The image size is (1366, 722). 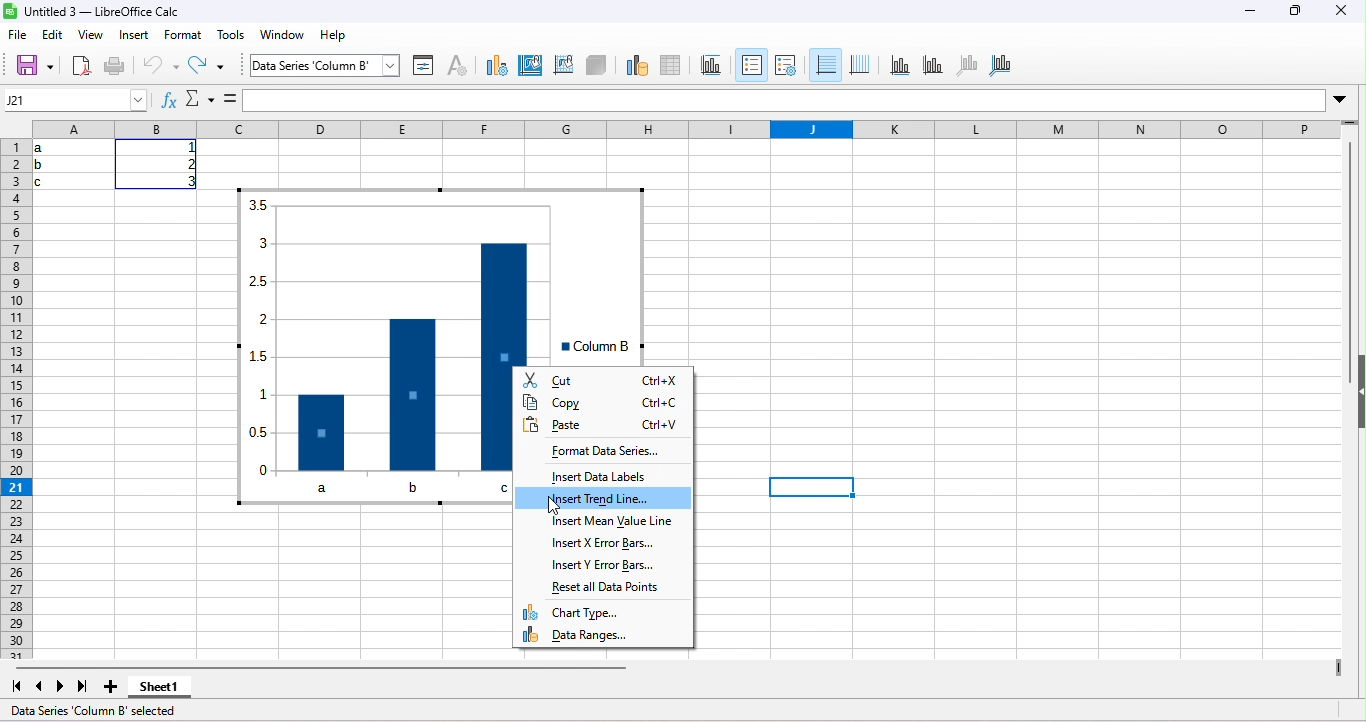 I want to click on selected cell, so click(x=814, y=487).